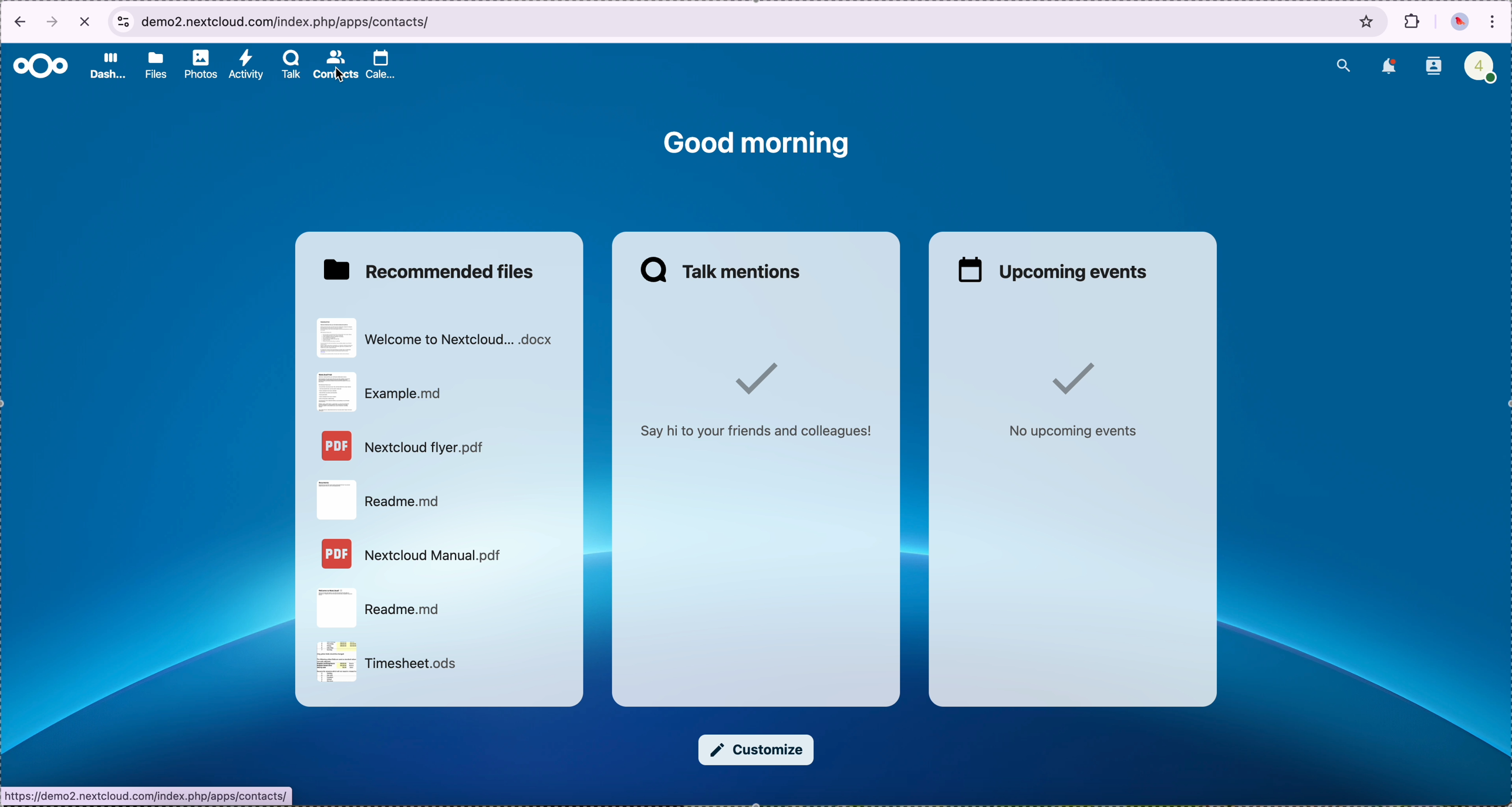  Describe the element at coordinates (197, 65) in the screenshot. I see `photos` at that location.